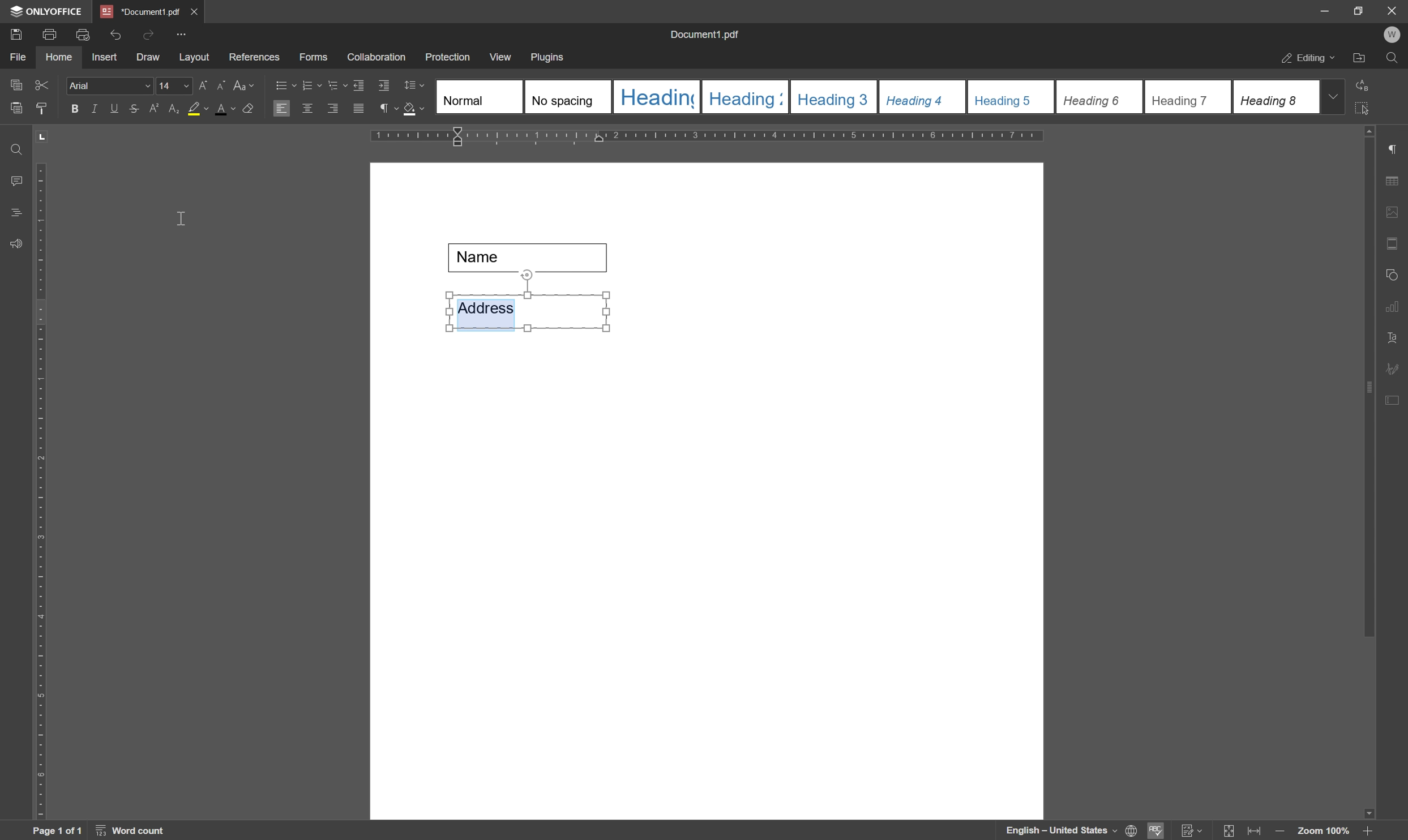 The width and height of the screenshot is (1408, 840). I want to click on subscript, so click(171, 108).